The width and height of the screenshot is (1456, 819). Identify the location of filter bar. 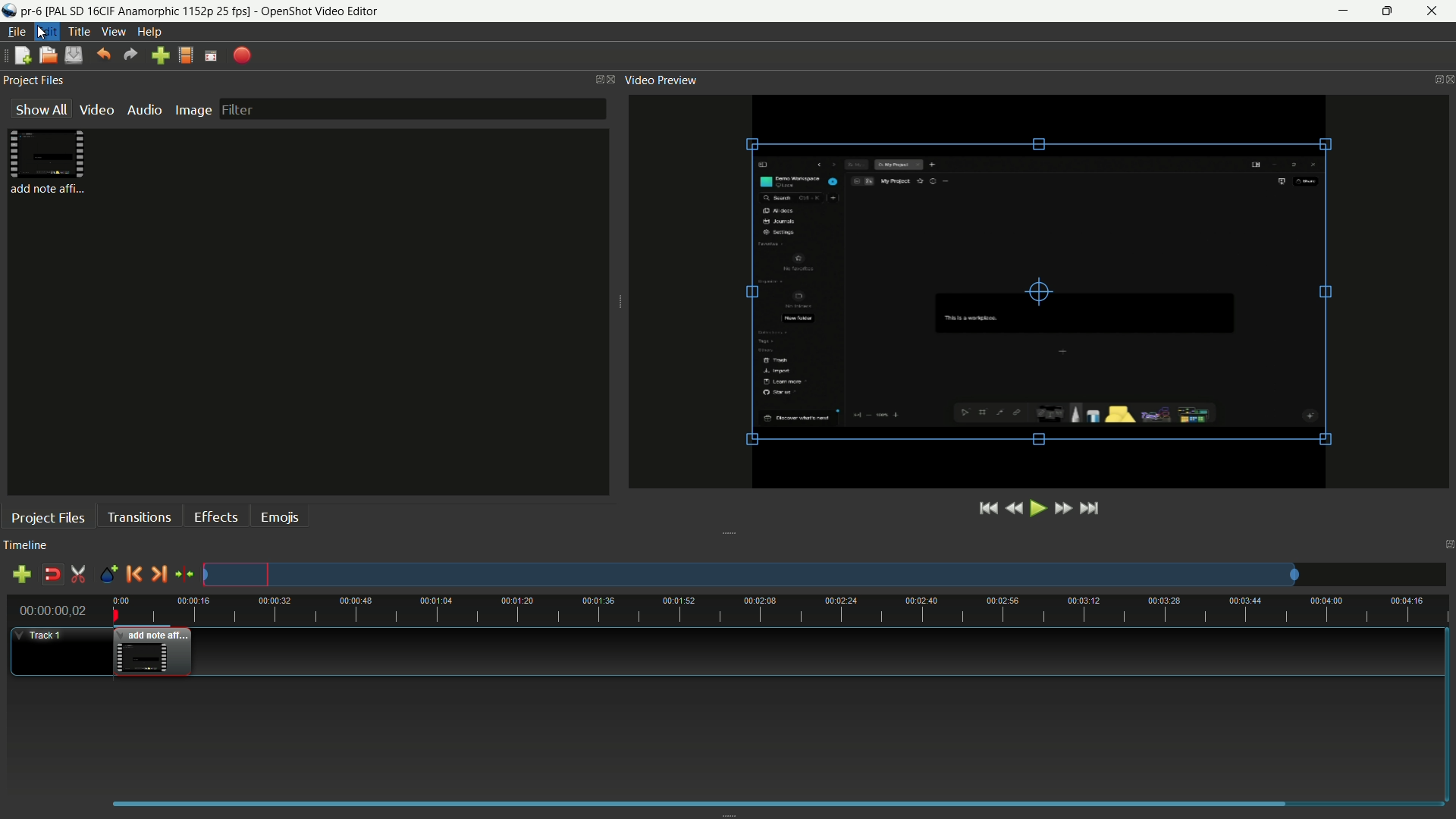
(412, 109).